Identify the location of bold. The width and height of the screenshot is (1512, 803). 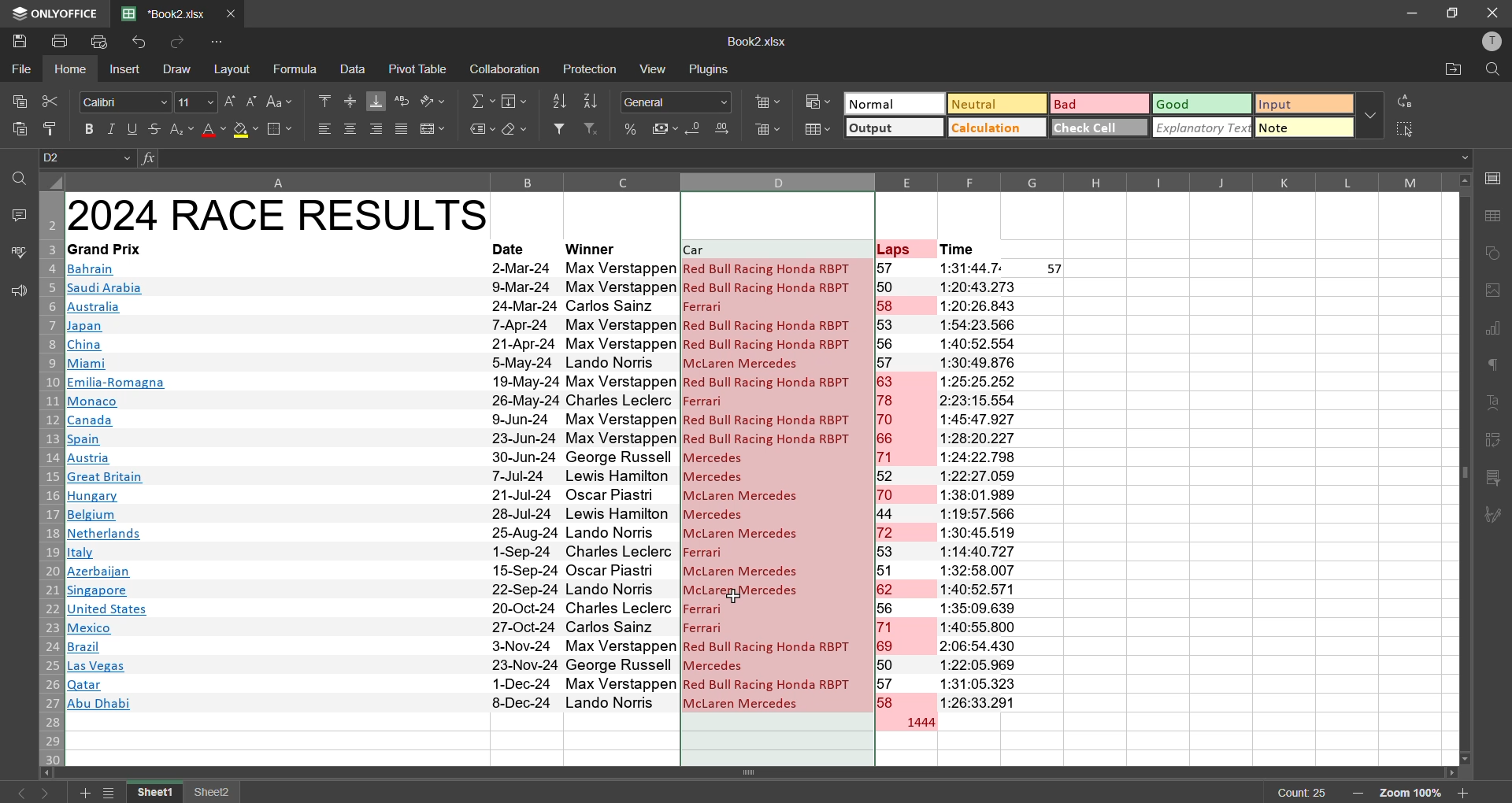
(91, 129).